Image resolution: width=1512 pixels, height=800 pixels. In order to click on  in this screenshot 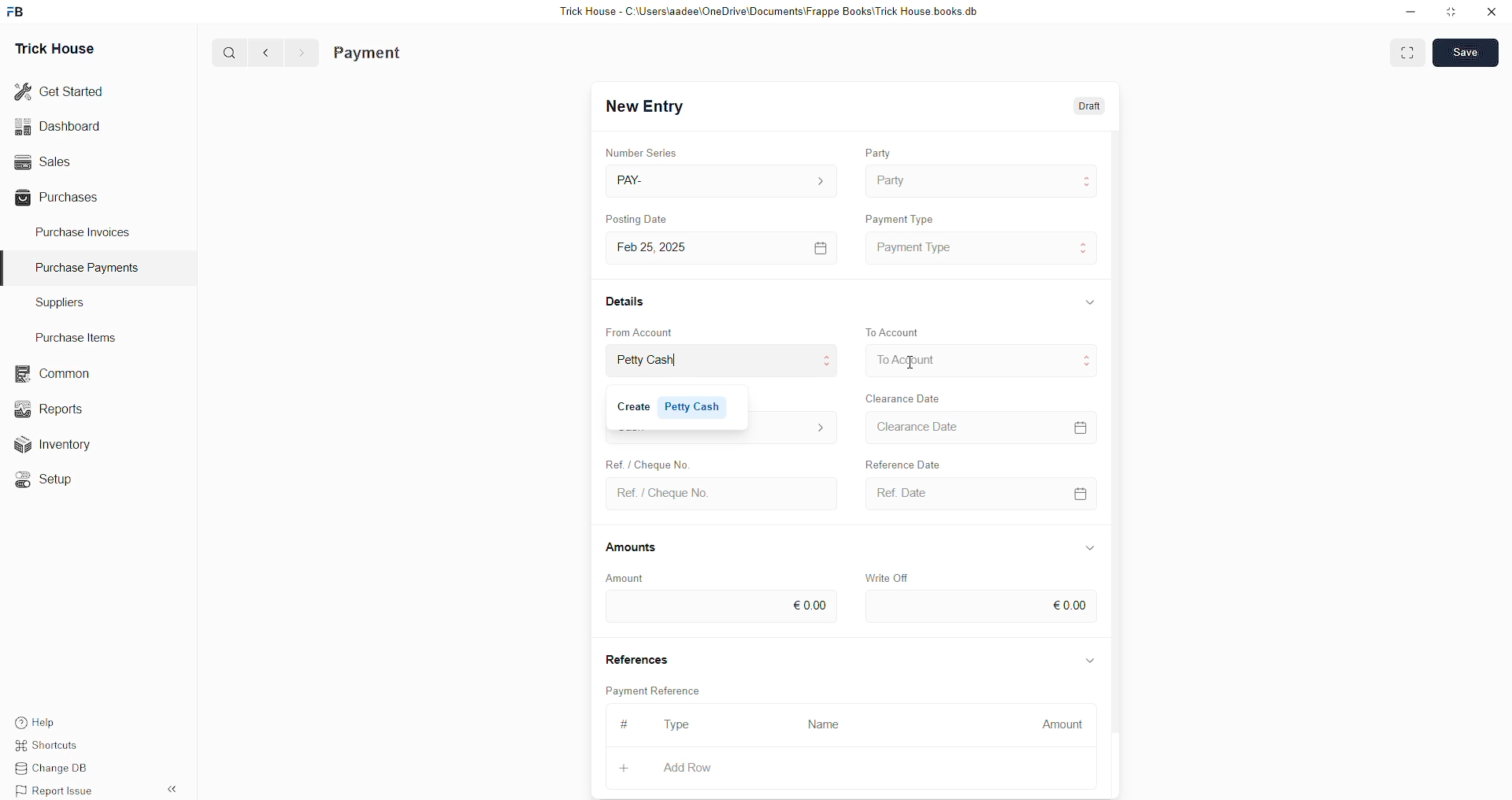, I will do `click(1091, 547)`.